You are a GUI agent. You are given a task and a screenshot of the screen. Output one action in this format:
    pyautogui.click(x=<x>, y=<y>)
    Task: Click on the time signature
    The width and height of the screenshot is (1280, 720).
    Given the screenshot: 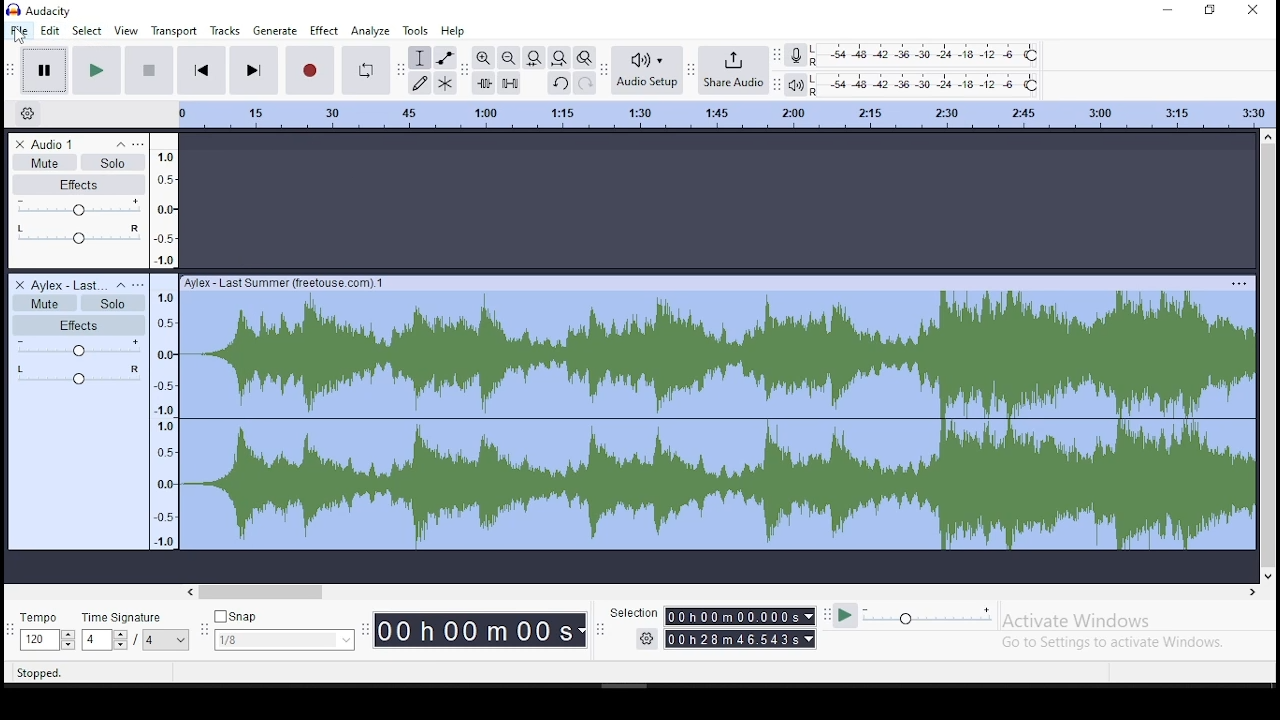 What is the action you would take?
    pyautogui.click(x=137, y=632)
    